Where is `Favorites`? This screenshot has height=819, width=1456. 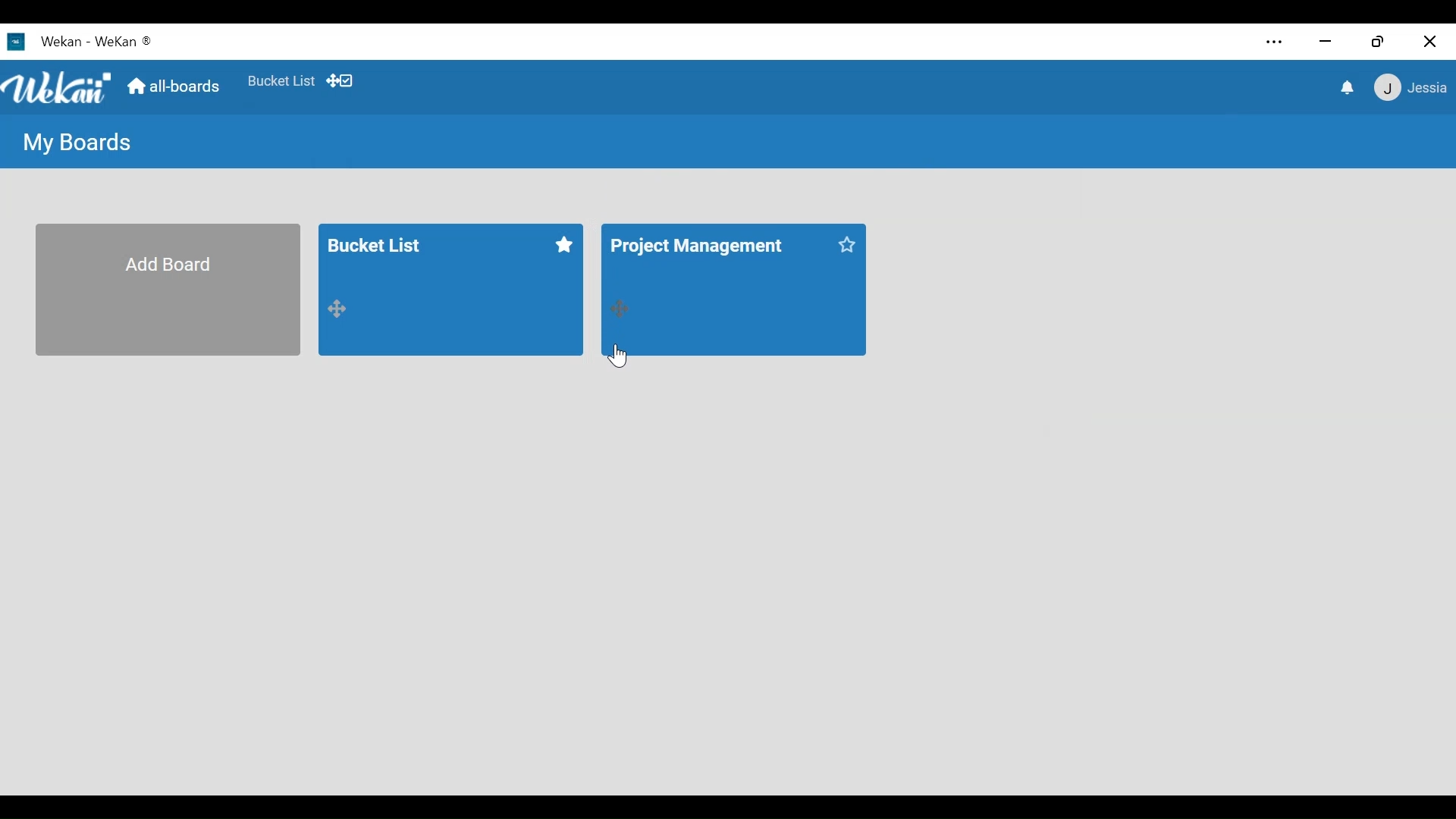 Favorites is located at coordinates (281, 78).